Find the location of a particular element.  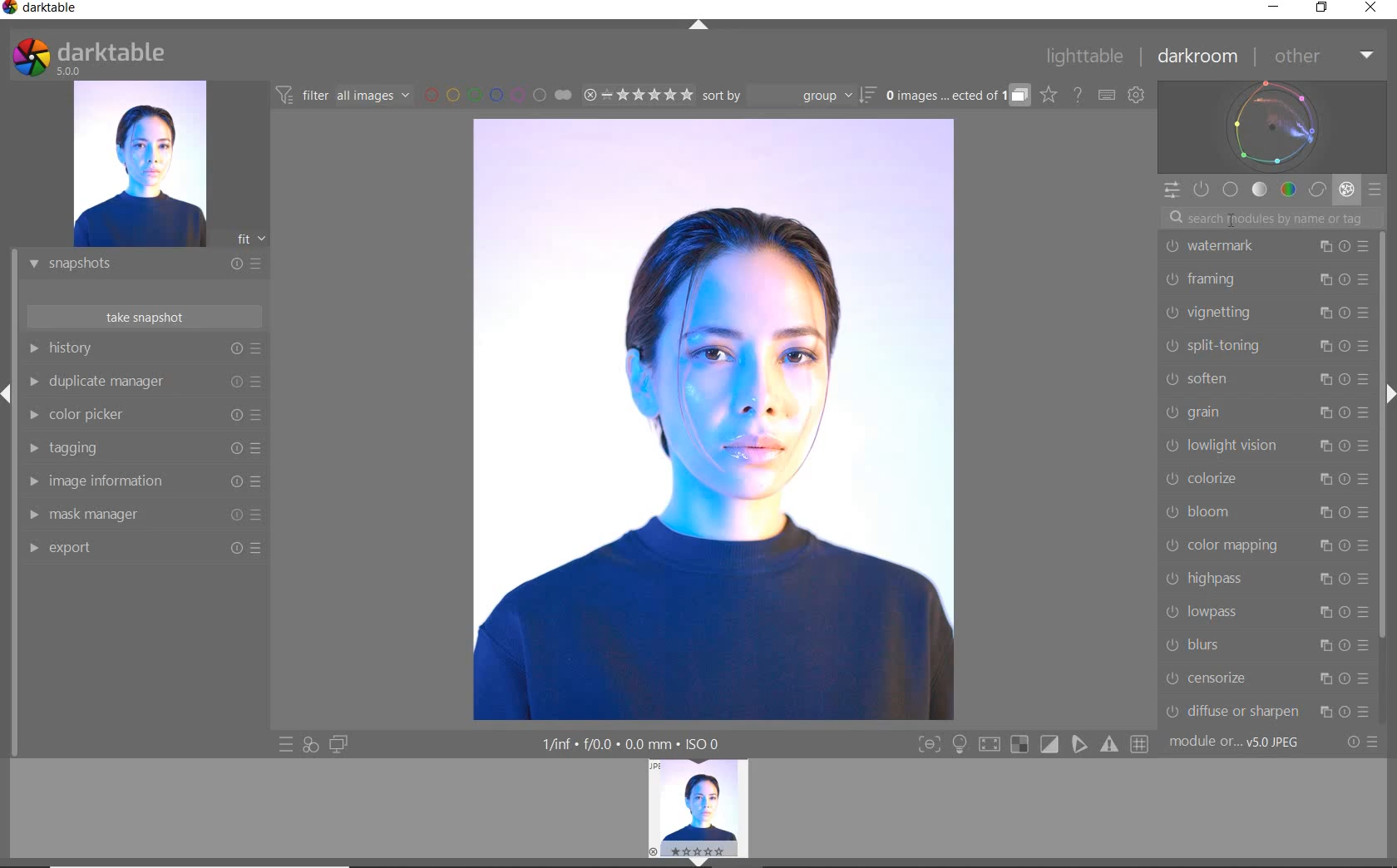

BASE is located at coordinates (1231, 190).